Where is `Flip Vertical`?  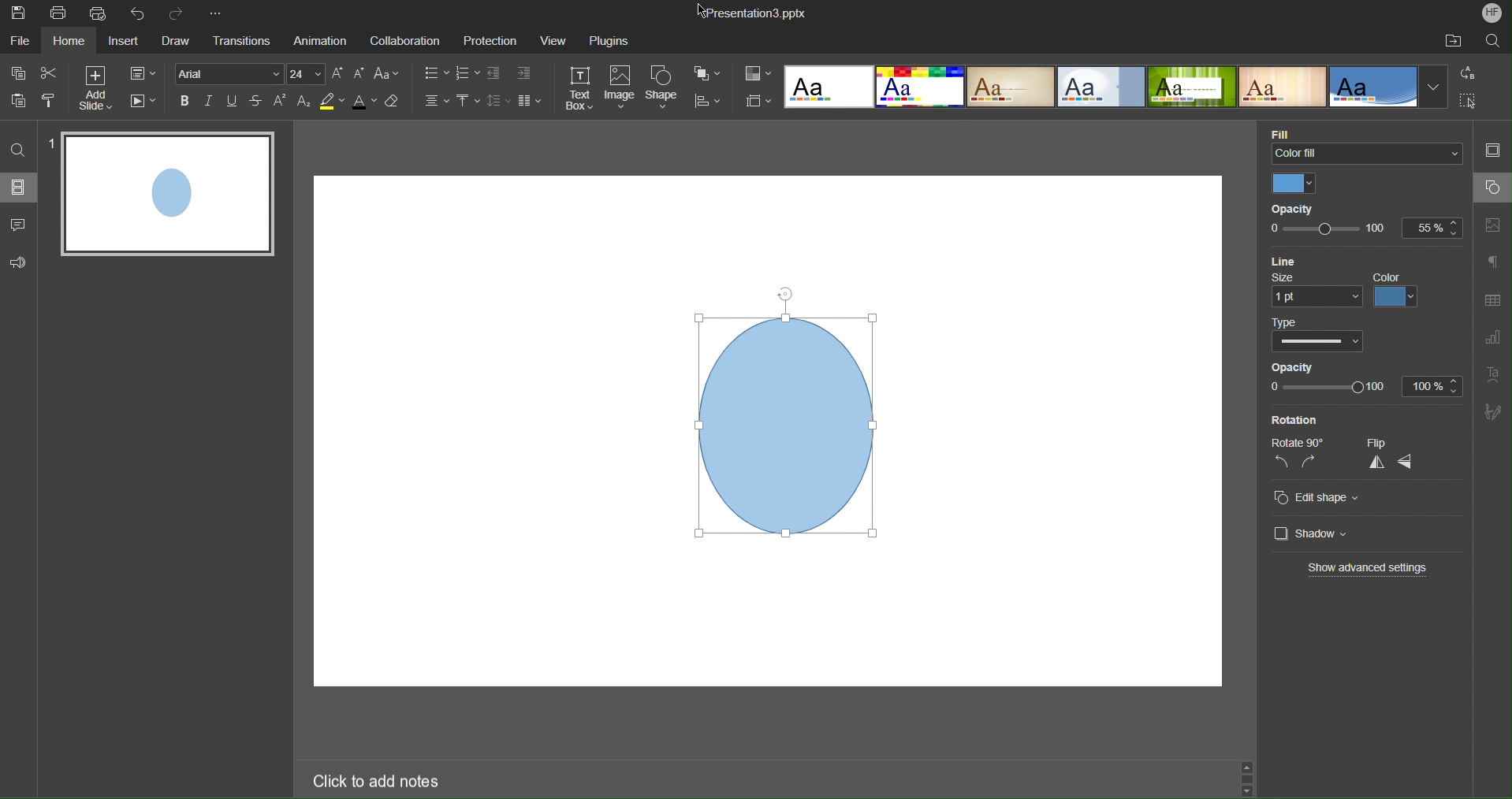 Flip Vertical is located at coordinates (1376, 463).